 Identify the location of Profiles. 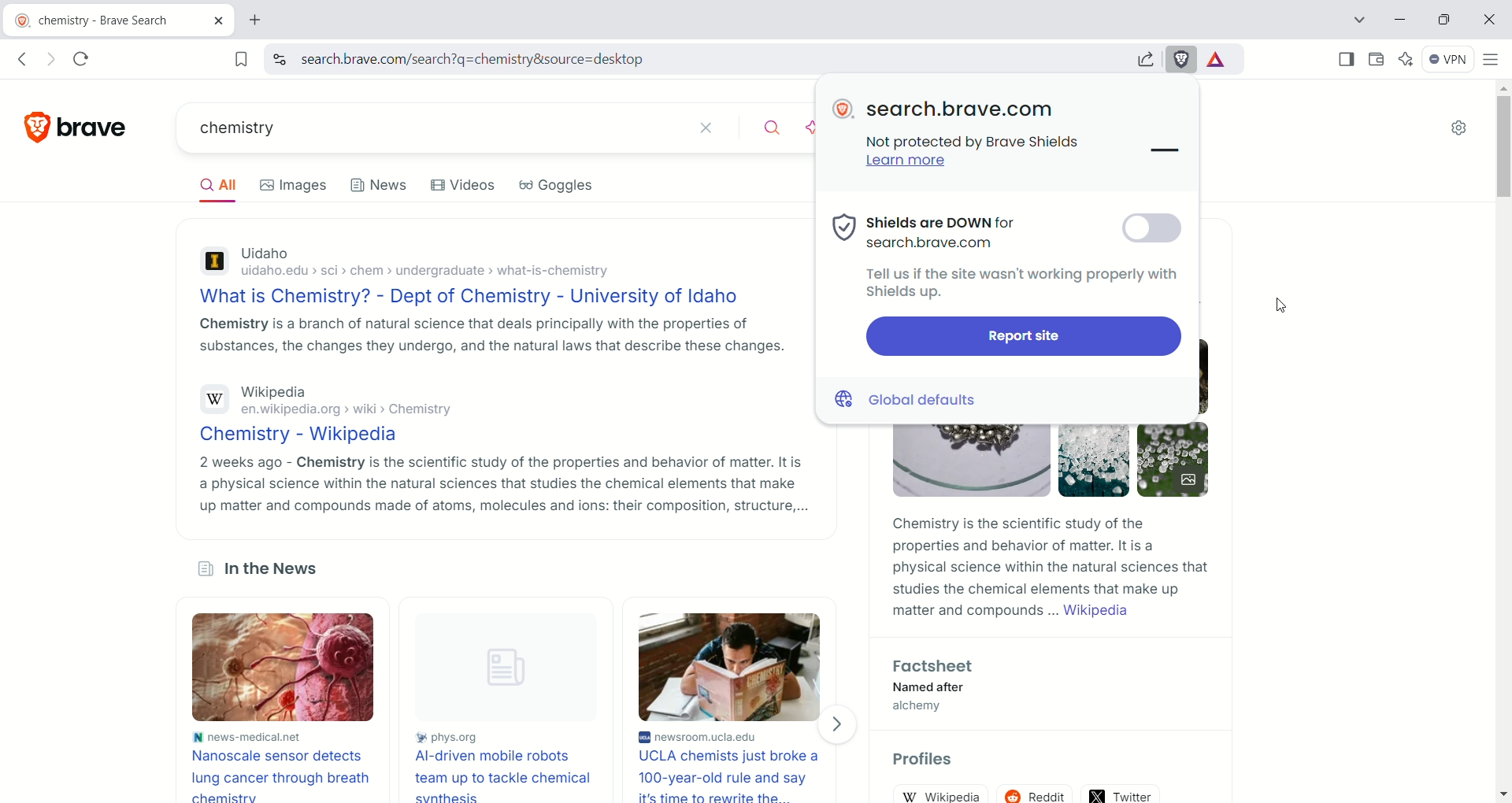
(925, 760).